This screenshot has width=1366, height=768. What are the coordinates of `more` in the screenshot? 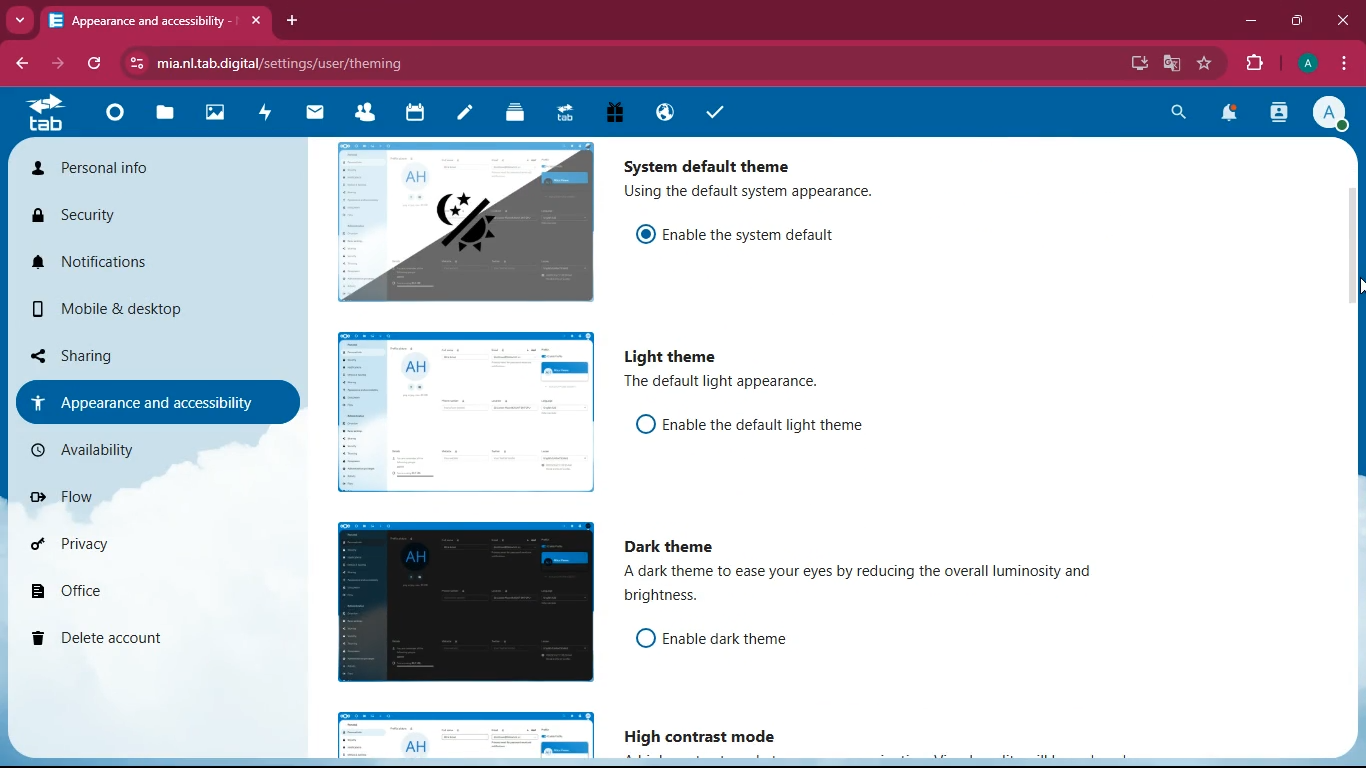 It's located at (22, 20).